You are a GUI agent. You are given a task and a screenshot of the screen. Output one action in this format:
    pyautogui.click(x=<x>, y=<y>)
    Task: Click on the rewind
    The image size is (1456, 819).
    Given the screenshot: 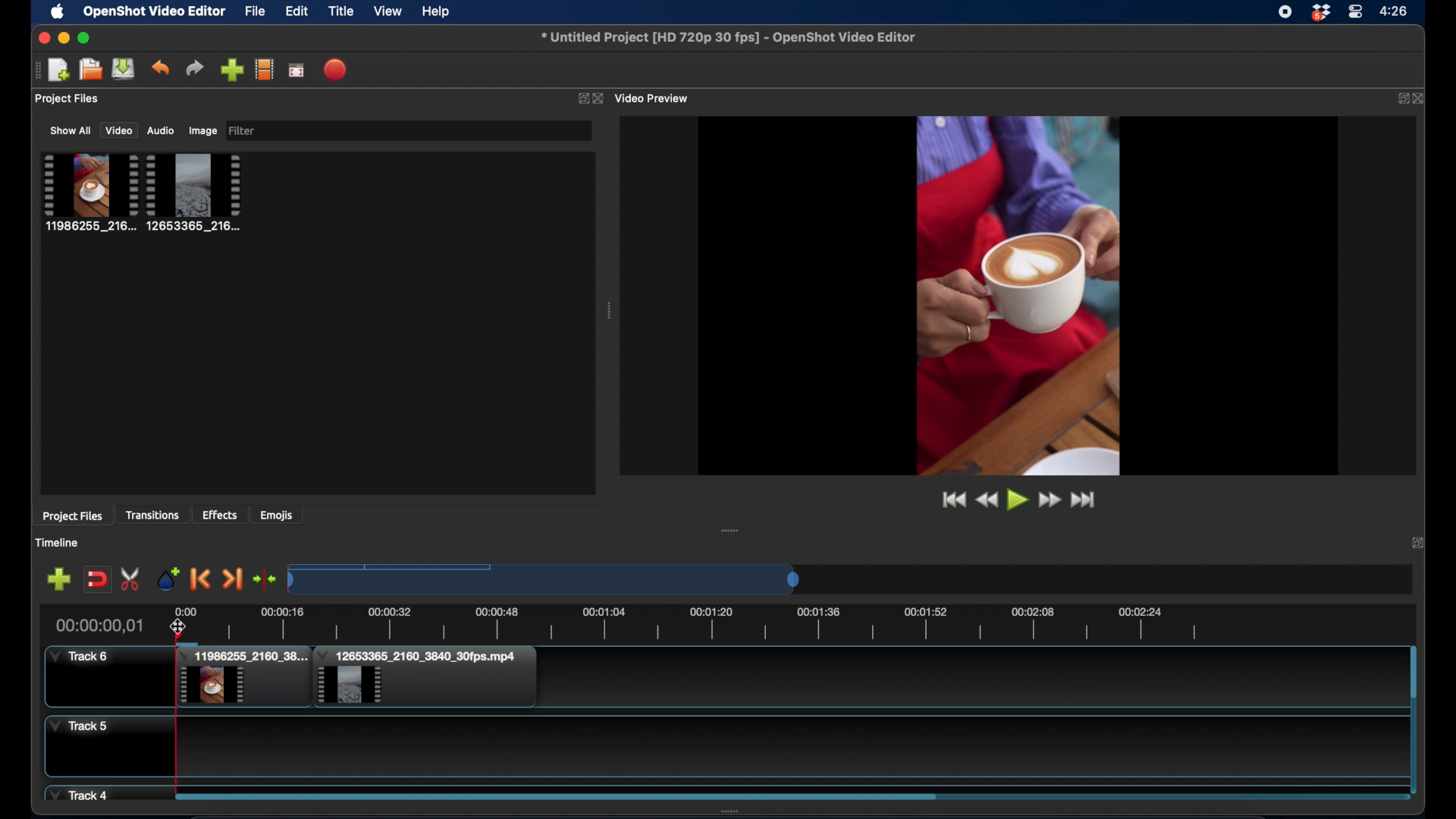 What is the action you would take?
    pyautogui.click(x=986, y=500)
    